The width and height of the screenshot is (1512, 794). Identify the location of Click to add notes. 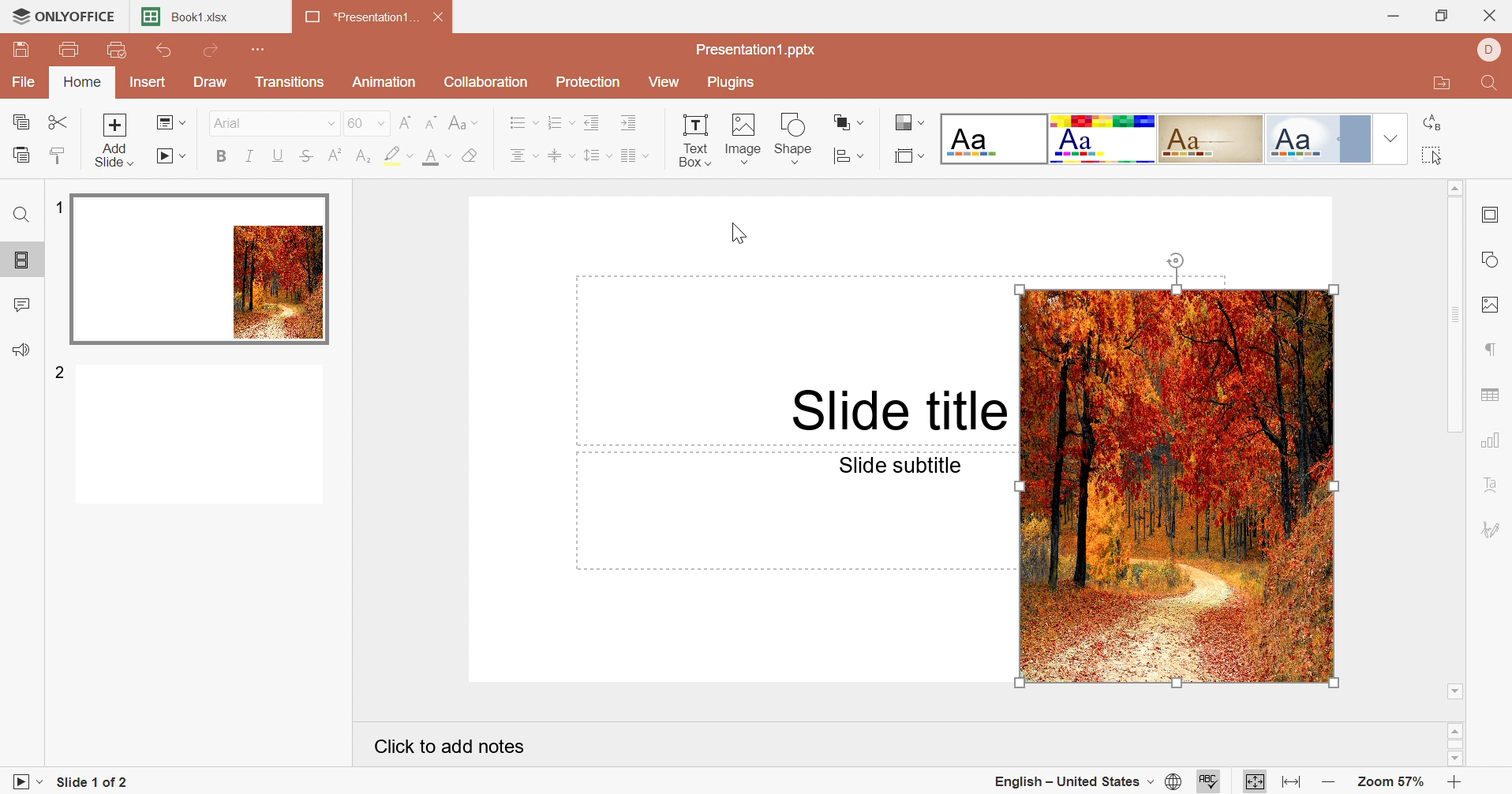
(447, 747).